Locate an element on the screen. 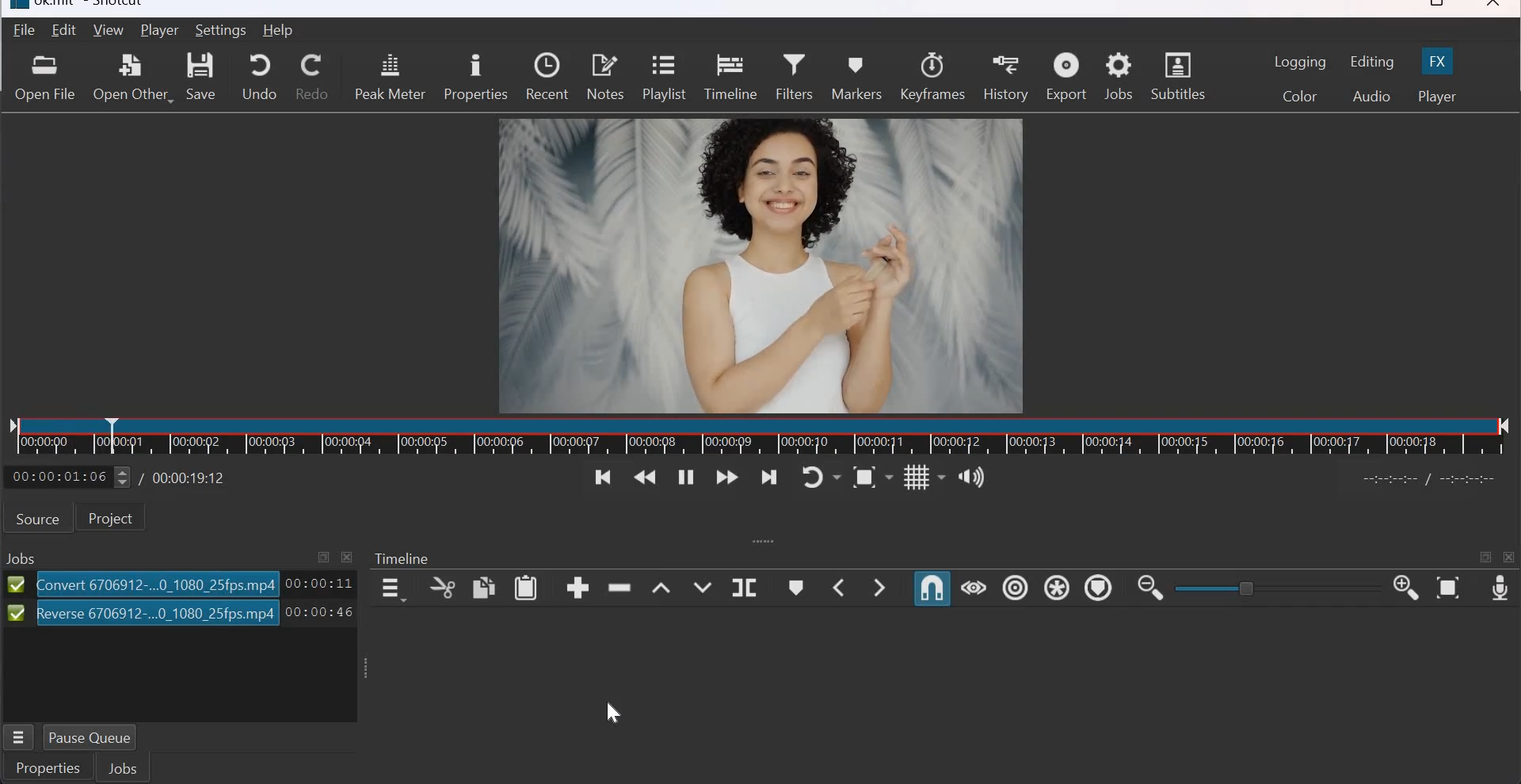 Image resolution: width=1521 pixels, height=784 pixels. Convert 6706912-...0_1080_25fps.mp4 is located at coordinates (157, 582).